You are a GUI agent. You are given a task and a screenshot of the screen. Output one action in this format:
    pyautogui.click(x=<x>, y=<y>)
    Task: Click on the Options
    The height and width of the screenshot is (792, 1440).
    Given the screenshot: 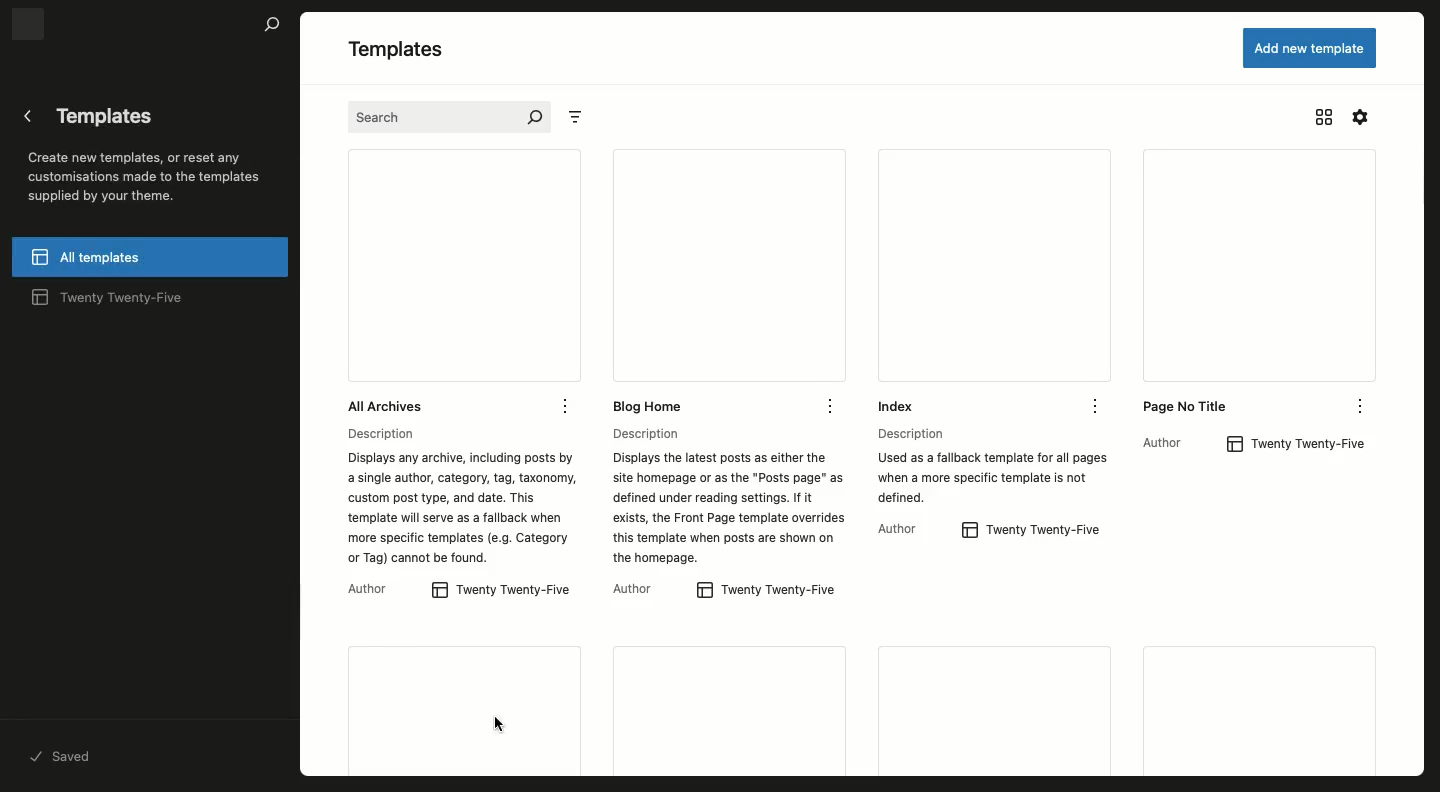 What is the action you would take?
    pyautogui.click(x=558, y=405)
    